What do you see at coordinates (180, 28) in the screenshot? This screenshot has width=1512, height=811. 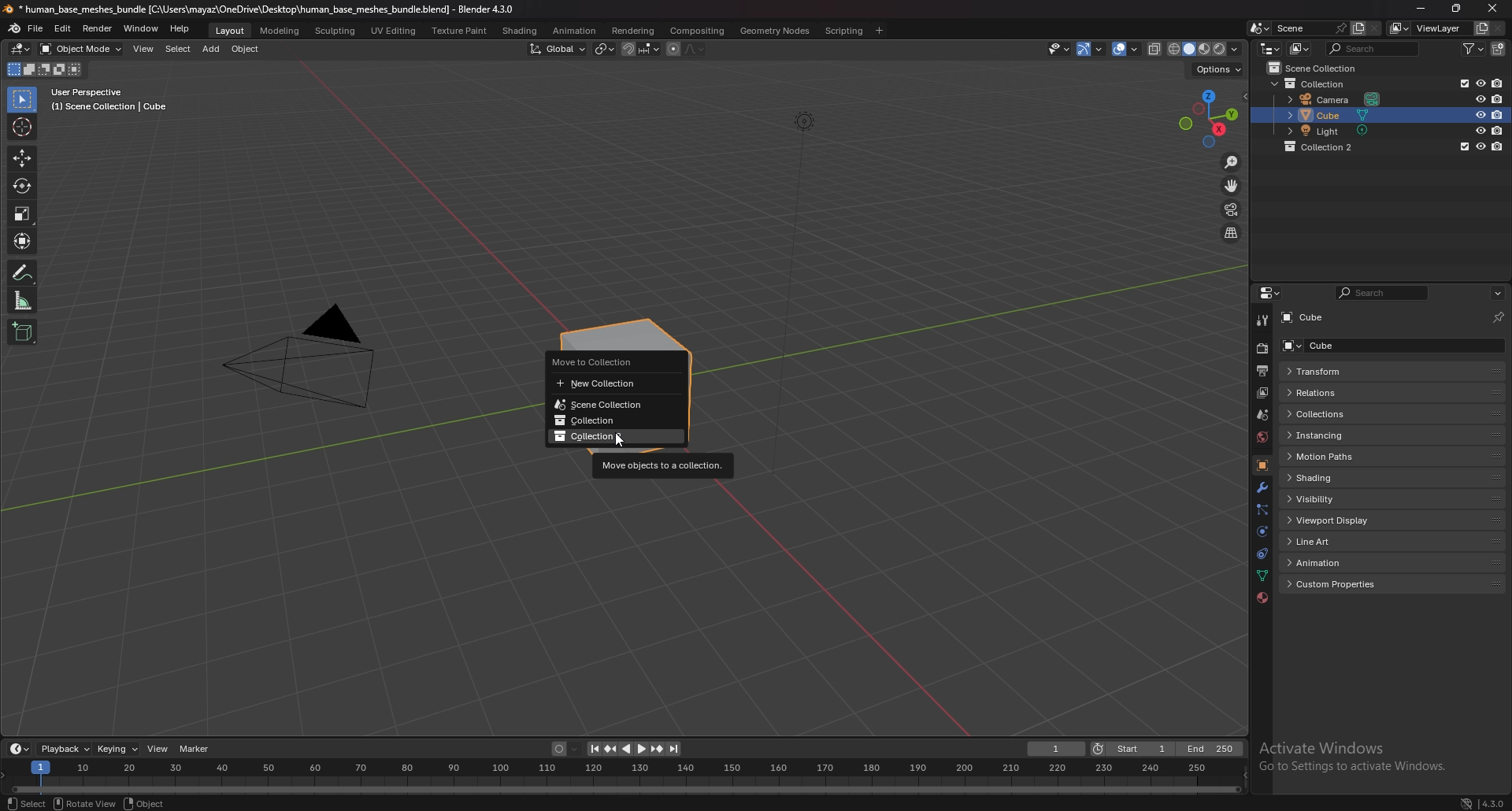 I see `help` at bounding box center [180, 28].